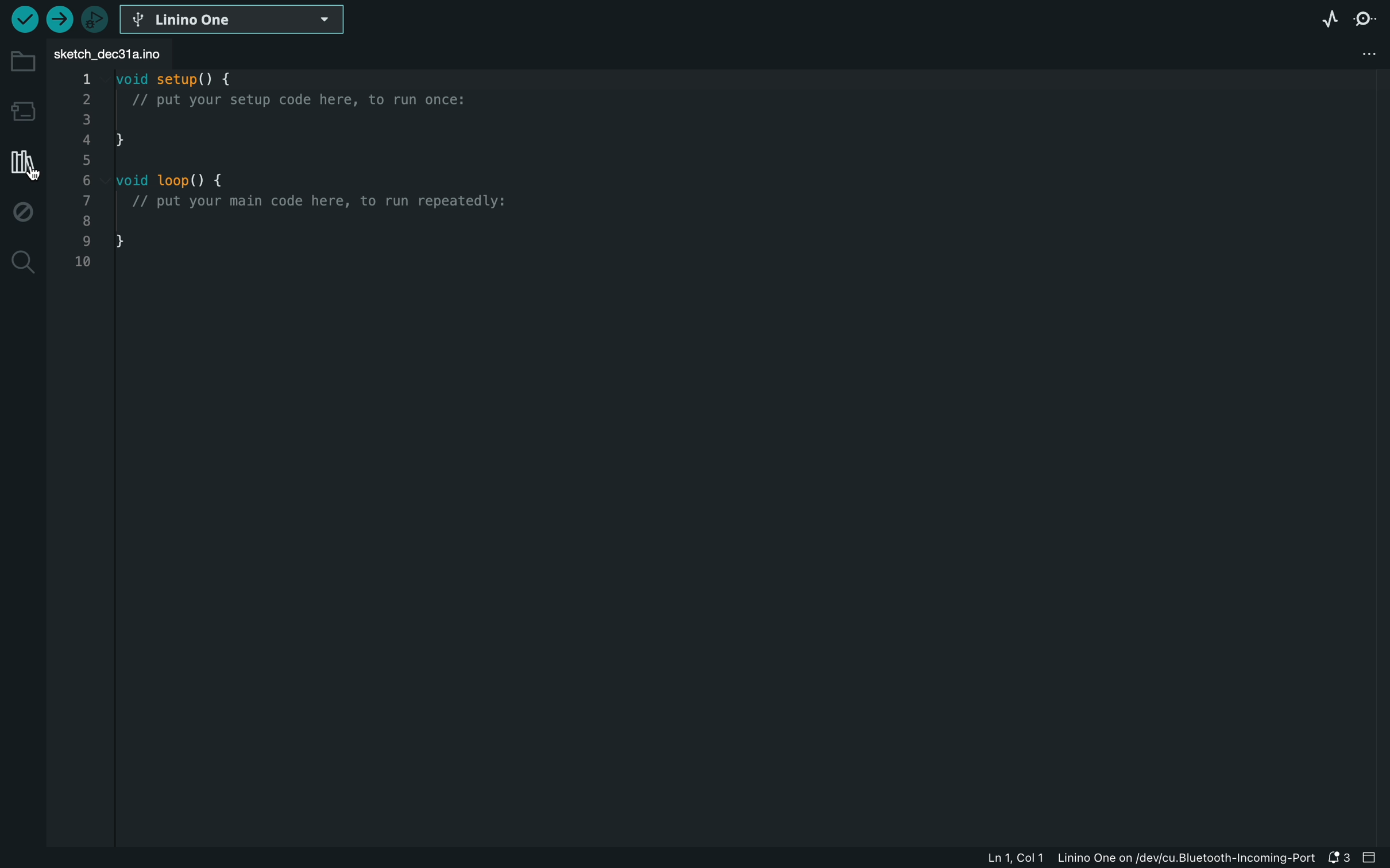 The height and width of the screenshot is (868, 1390). Describe the element at coordinates (1373, 858) in the screenshot. I see `close bar` at that location.